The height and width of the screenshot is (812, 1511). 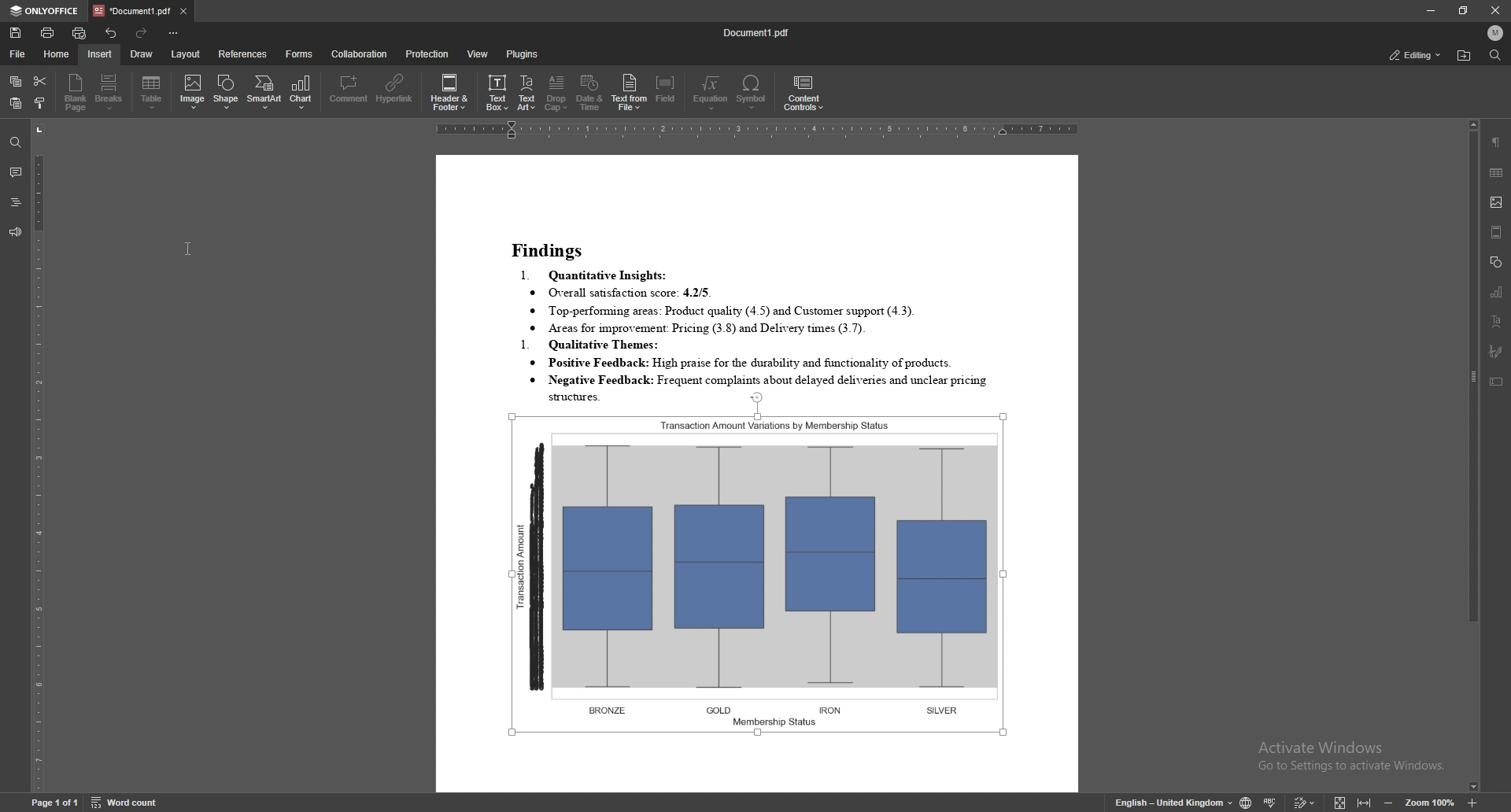 I want to click on hyperlink, so click(x=393, y=90).